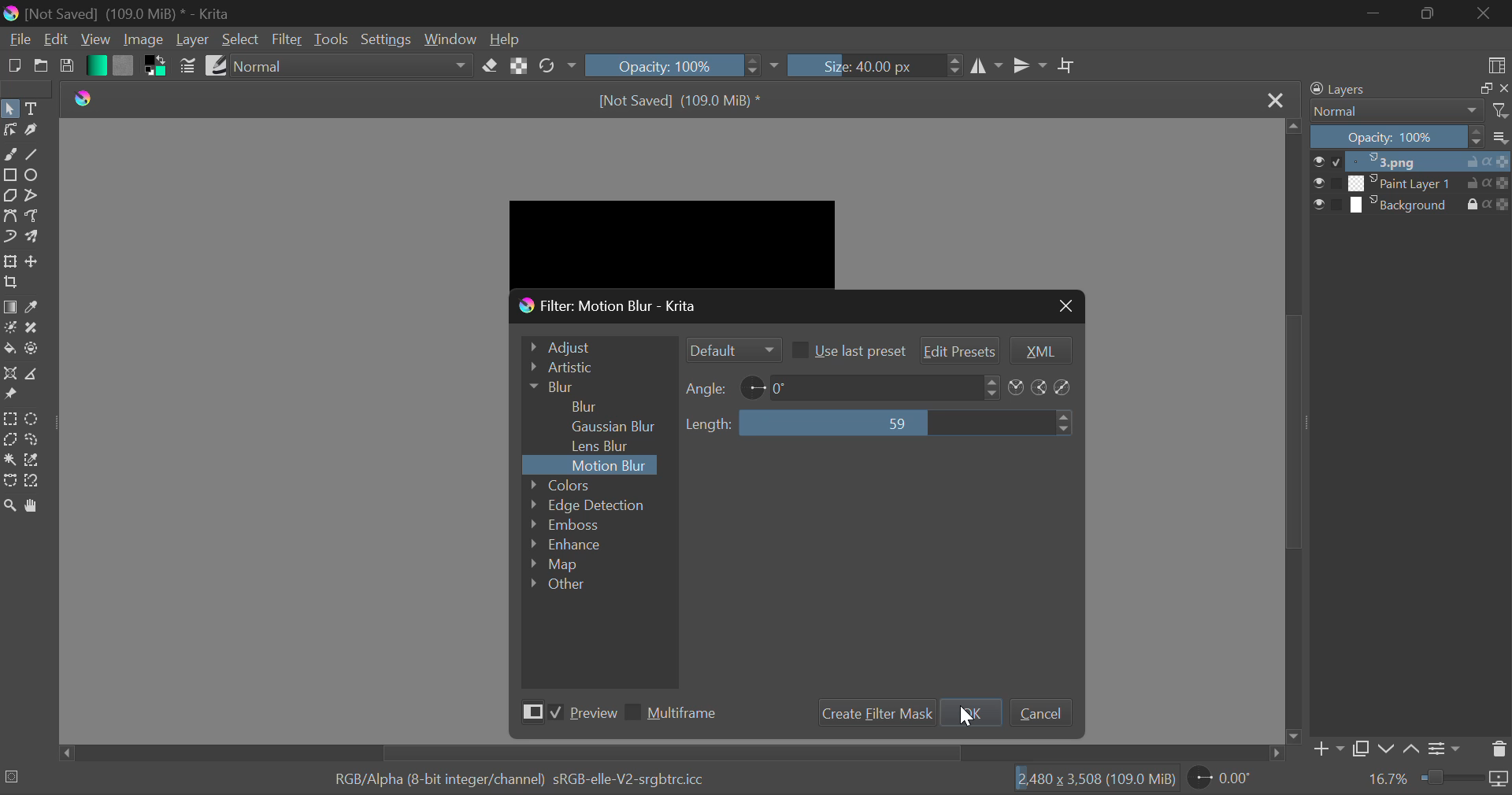 Image resolution: width=1512 pixels, height=795 pixels. I want to click on Brush Settings, so click(189, 66).